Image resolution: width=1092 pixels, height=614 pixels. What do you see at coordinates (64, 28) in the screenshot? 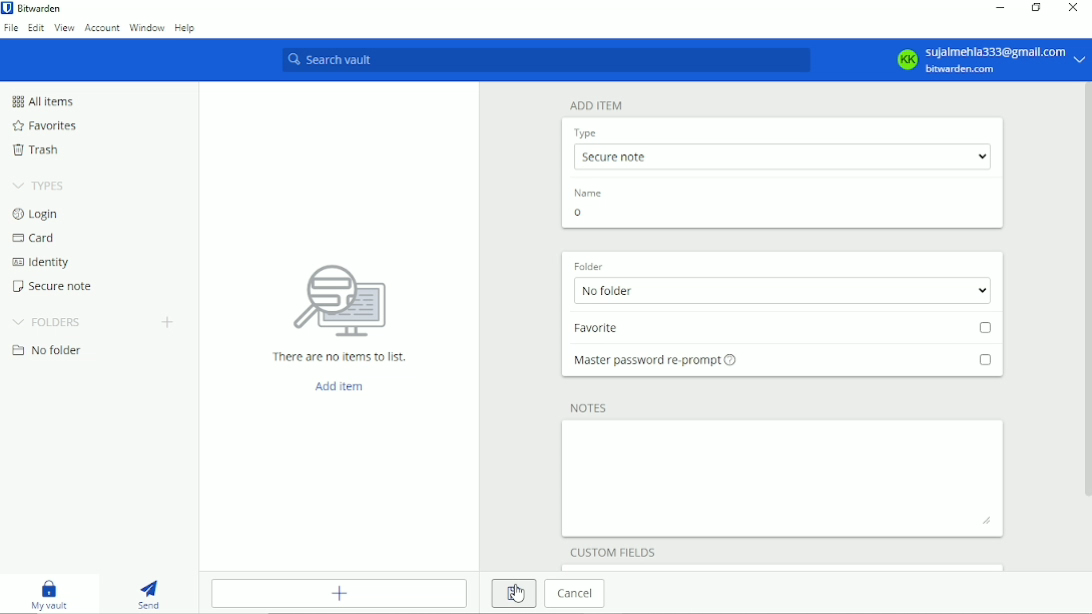
I see `View` at bounding box center [64, 28].